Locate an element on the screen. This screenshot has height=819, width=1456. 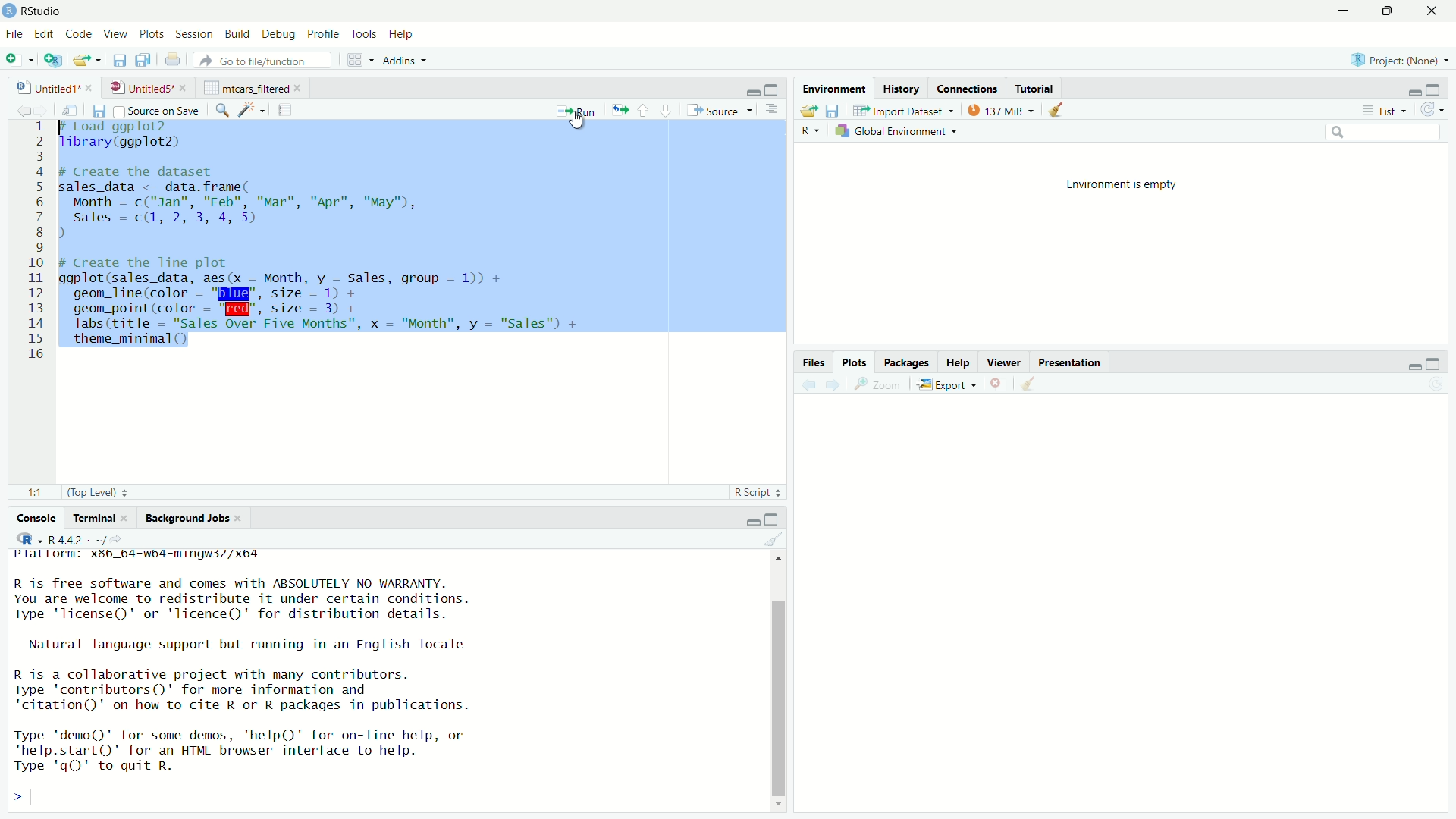
scroll bar is located at coordinates (777, 698).